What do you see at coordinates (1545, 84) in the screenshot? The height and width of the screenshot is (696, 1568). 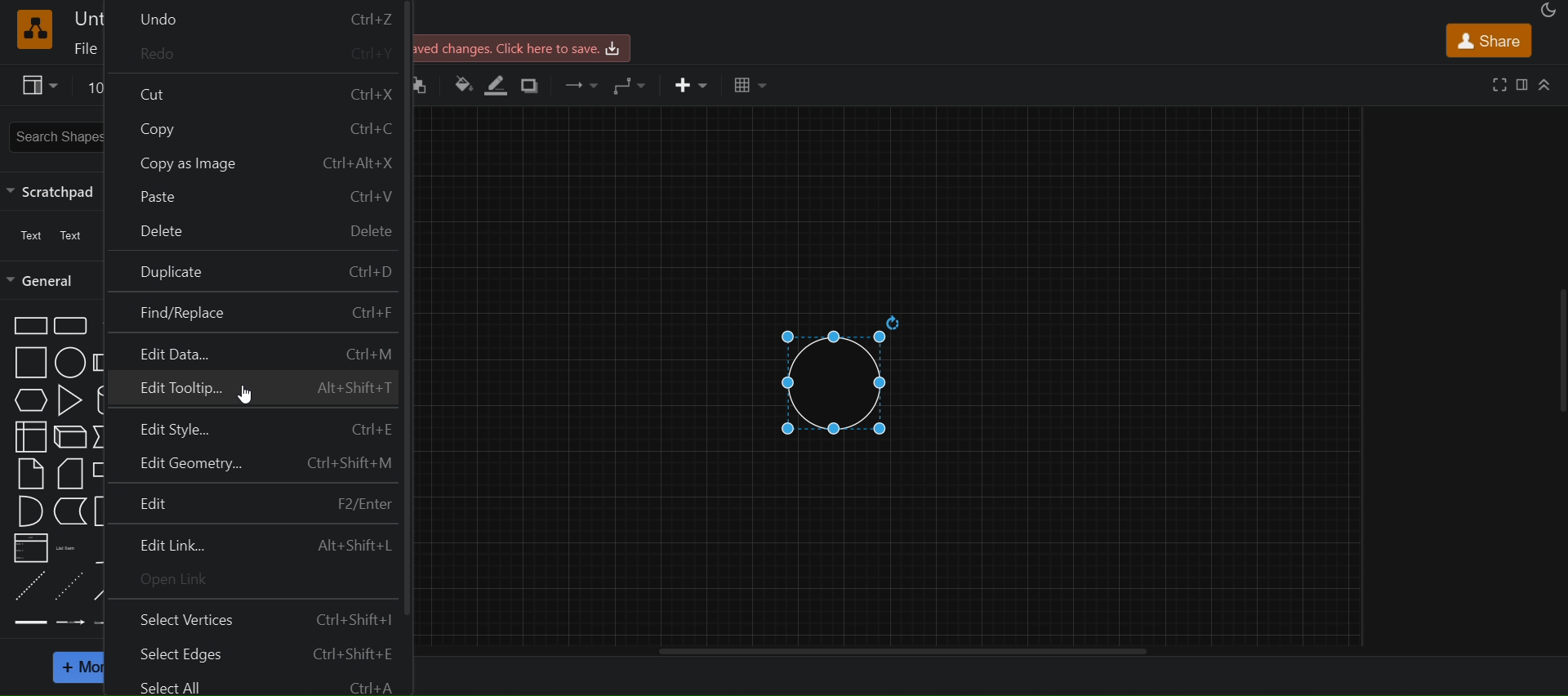 I see `collapase/expand` at bounding box center [1545, 84].